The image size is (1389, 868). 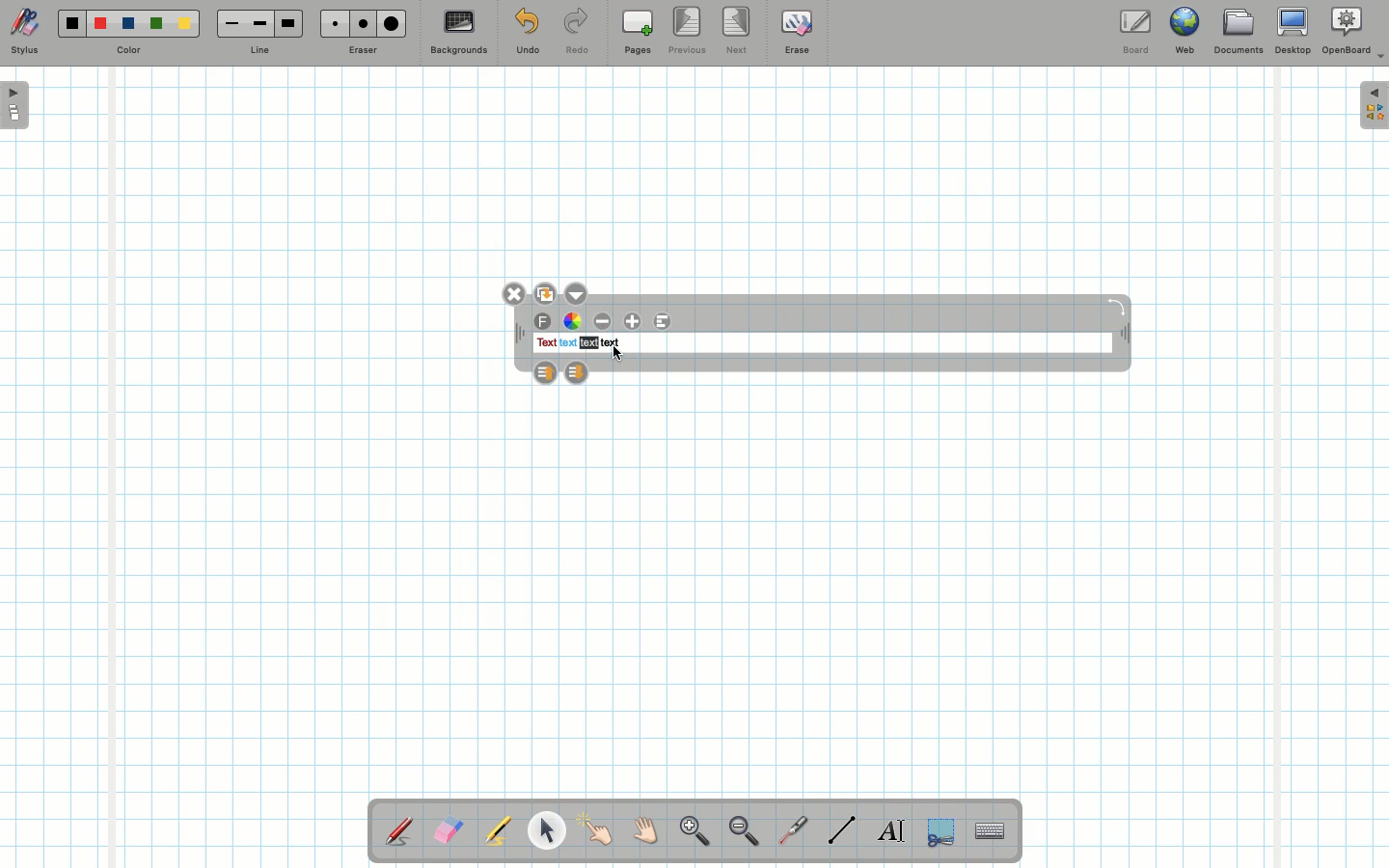 I want to click on Font, so click(x=544, y=322).